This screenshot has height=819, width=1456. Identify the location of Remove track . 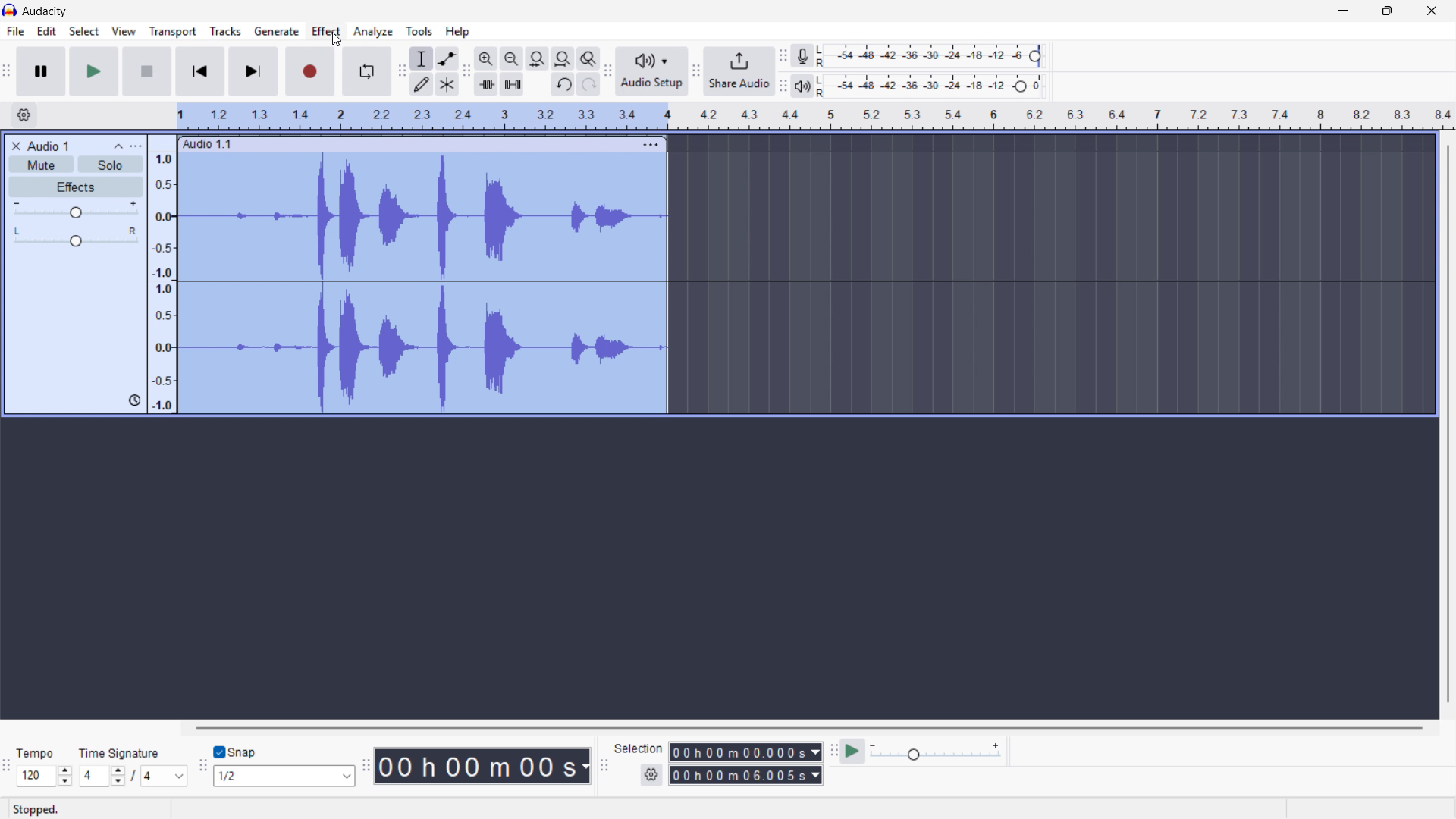
(17, 146).